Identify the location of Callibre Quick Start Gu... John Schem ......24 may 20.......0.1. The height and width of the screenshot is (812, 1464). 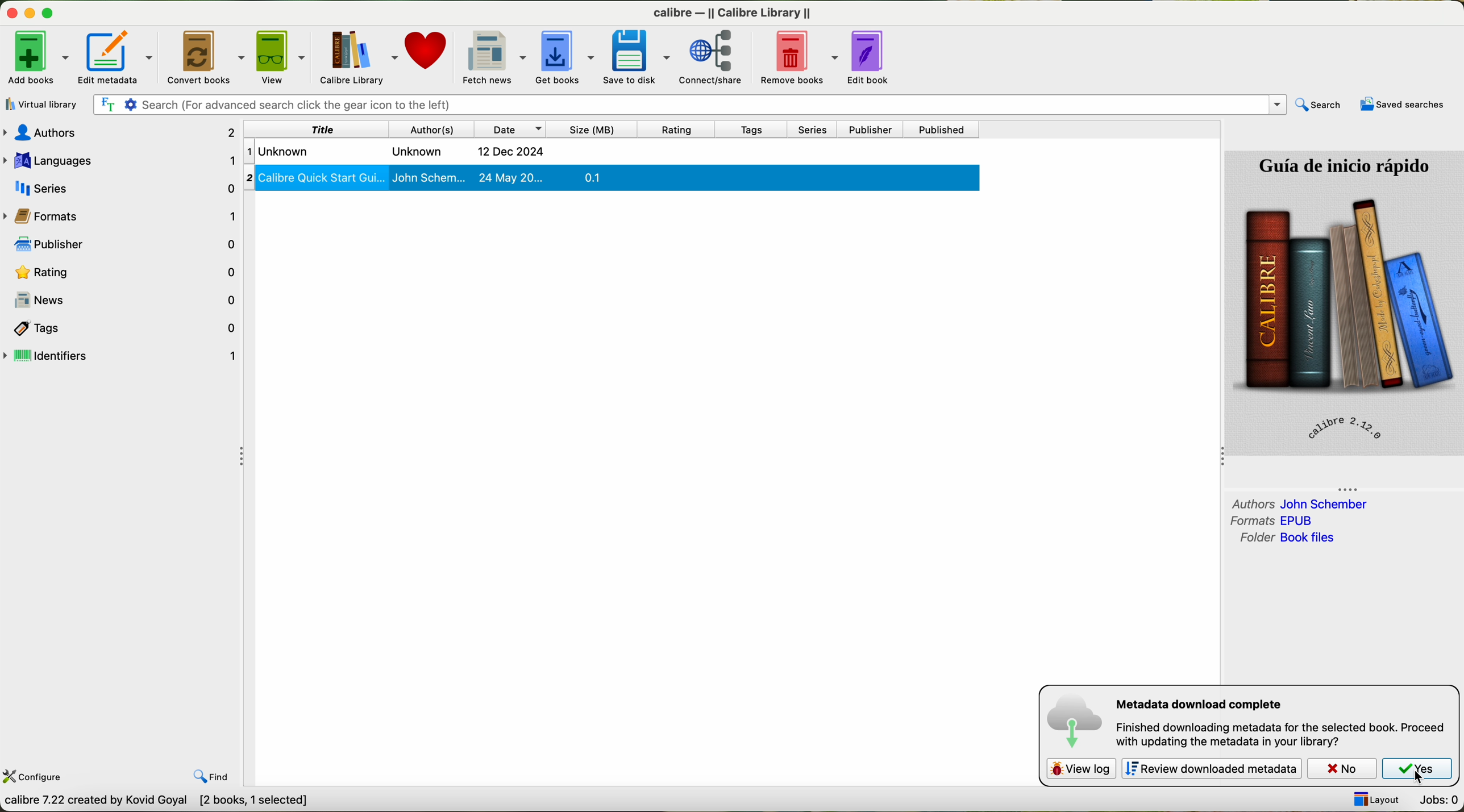
(610, 180).